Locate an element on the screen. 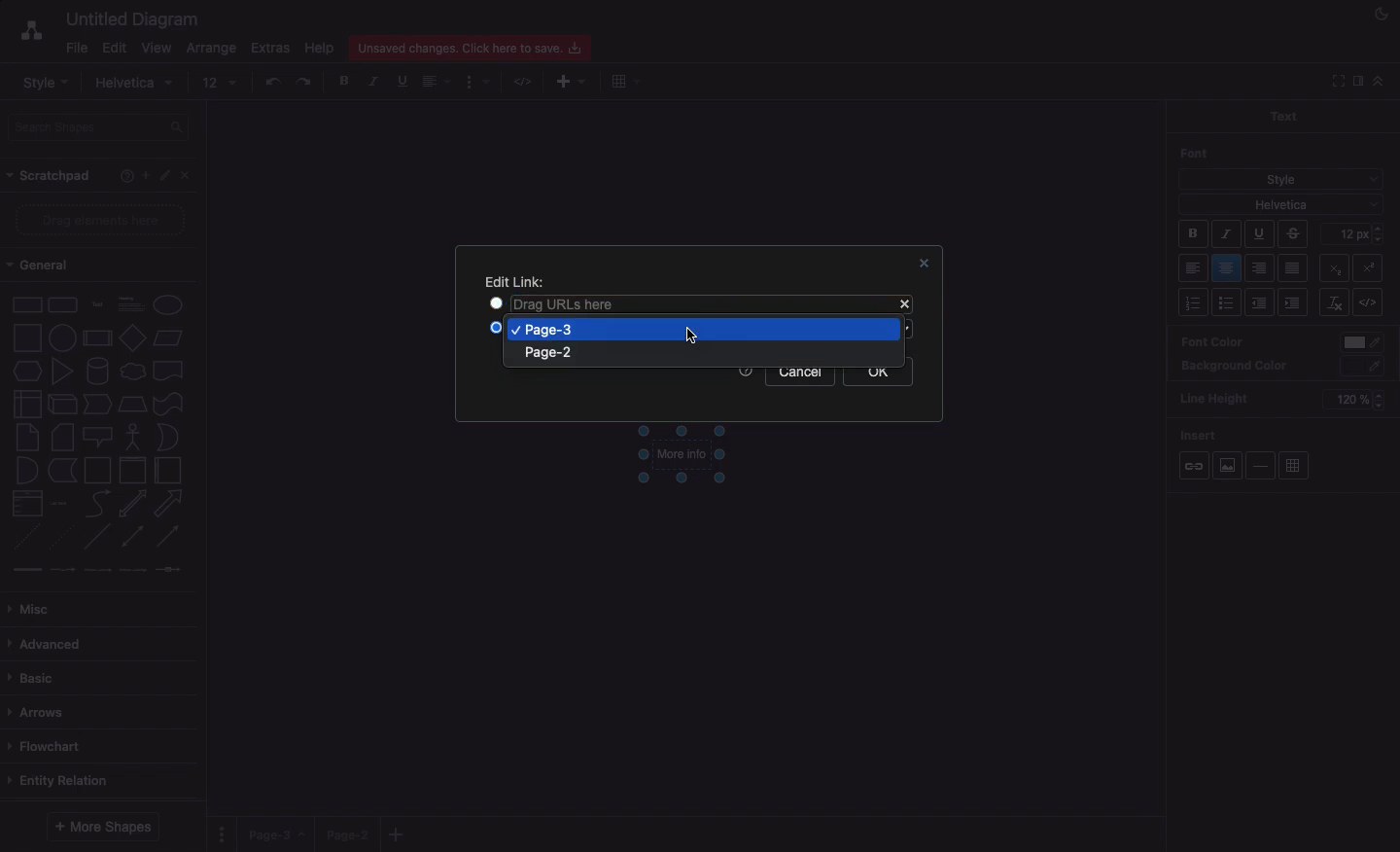 The height and width of the screenshot is (852, 1400). document is located at coordinates (169, 371).